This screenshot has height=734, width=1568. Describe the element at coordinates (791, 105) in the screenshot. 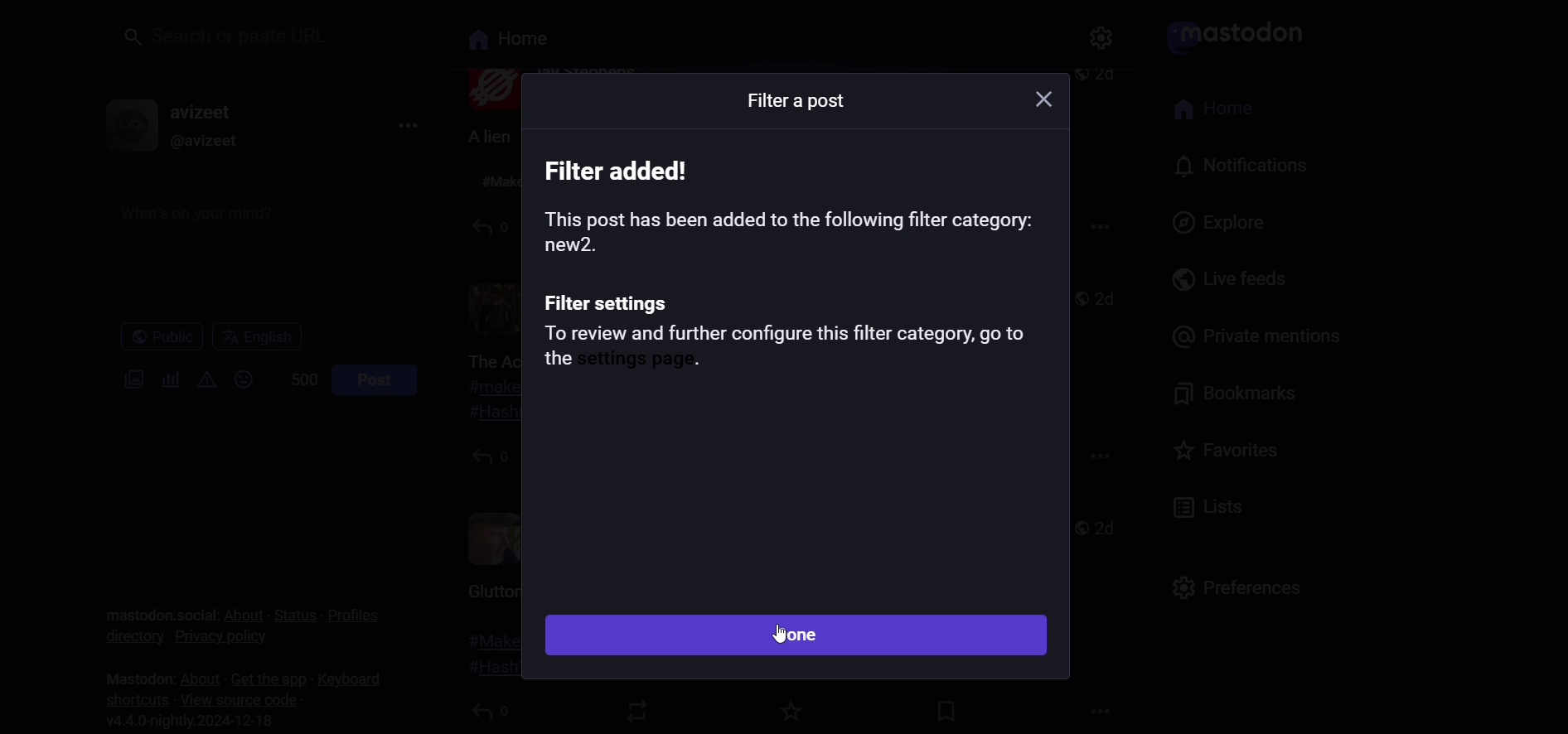

I see `filter a post` at that location.